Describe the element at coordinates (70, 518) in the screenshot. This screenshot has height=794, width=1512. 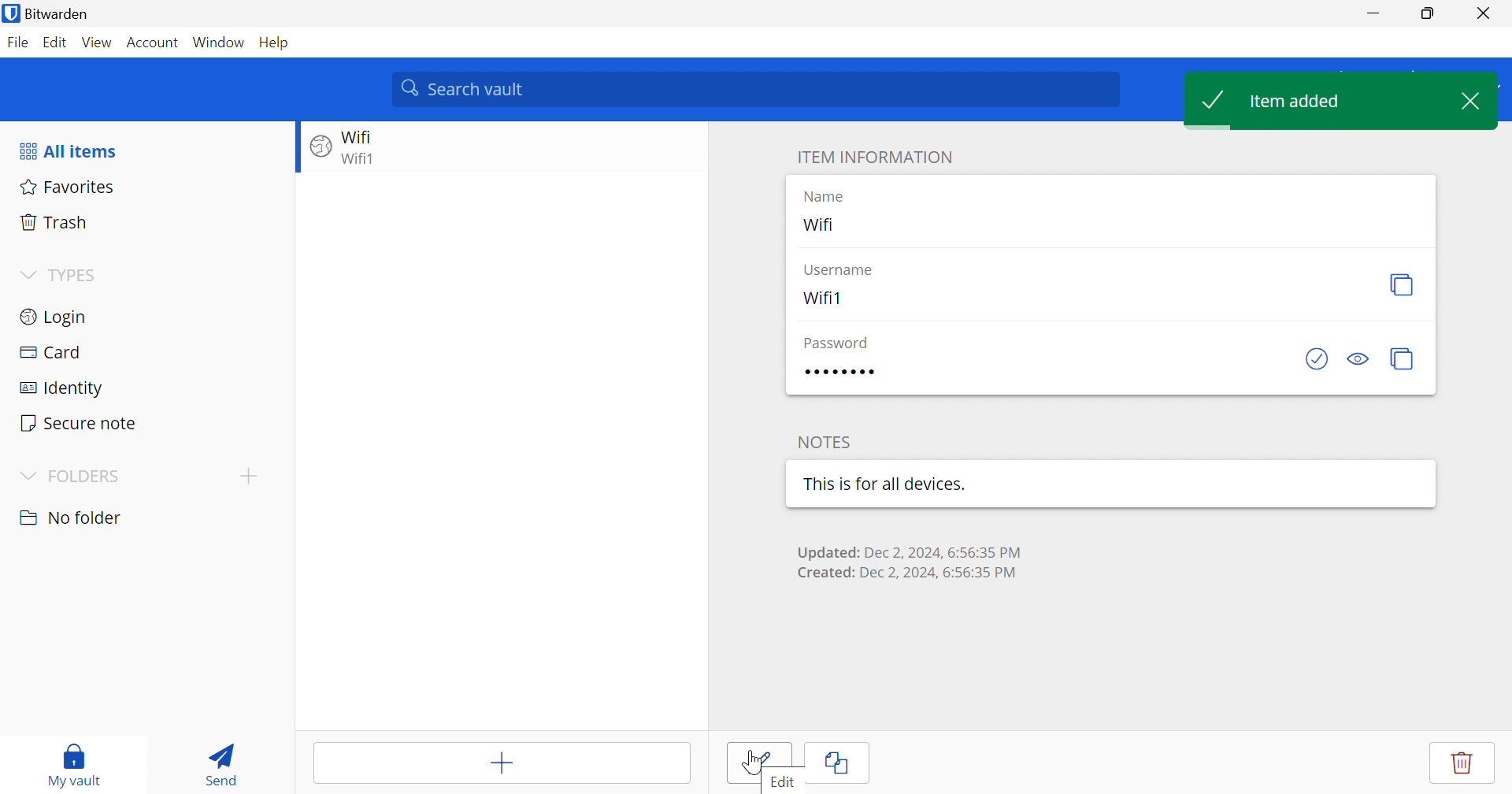
I see `nO FOLDER` at that location.